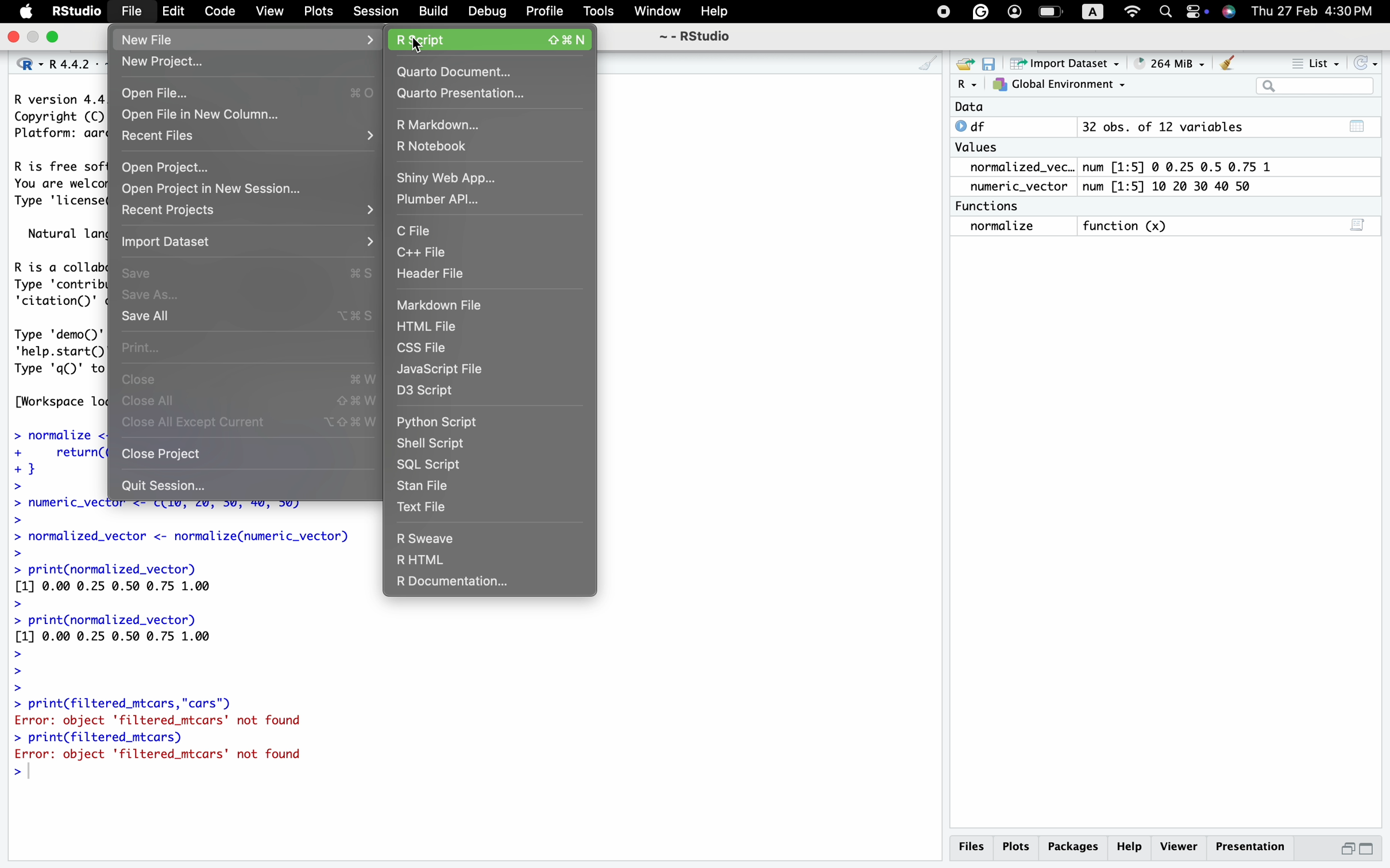 The image size is (1390, 868). What do you see at coordinates (65, 234) in the screenshot?
I see `Natural lang` at bounding box center [65, 234].